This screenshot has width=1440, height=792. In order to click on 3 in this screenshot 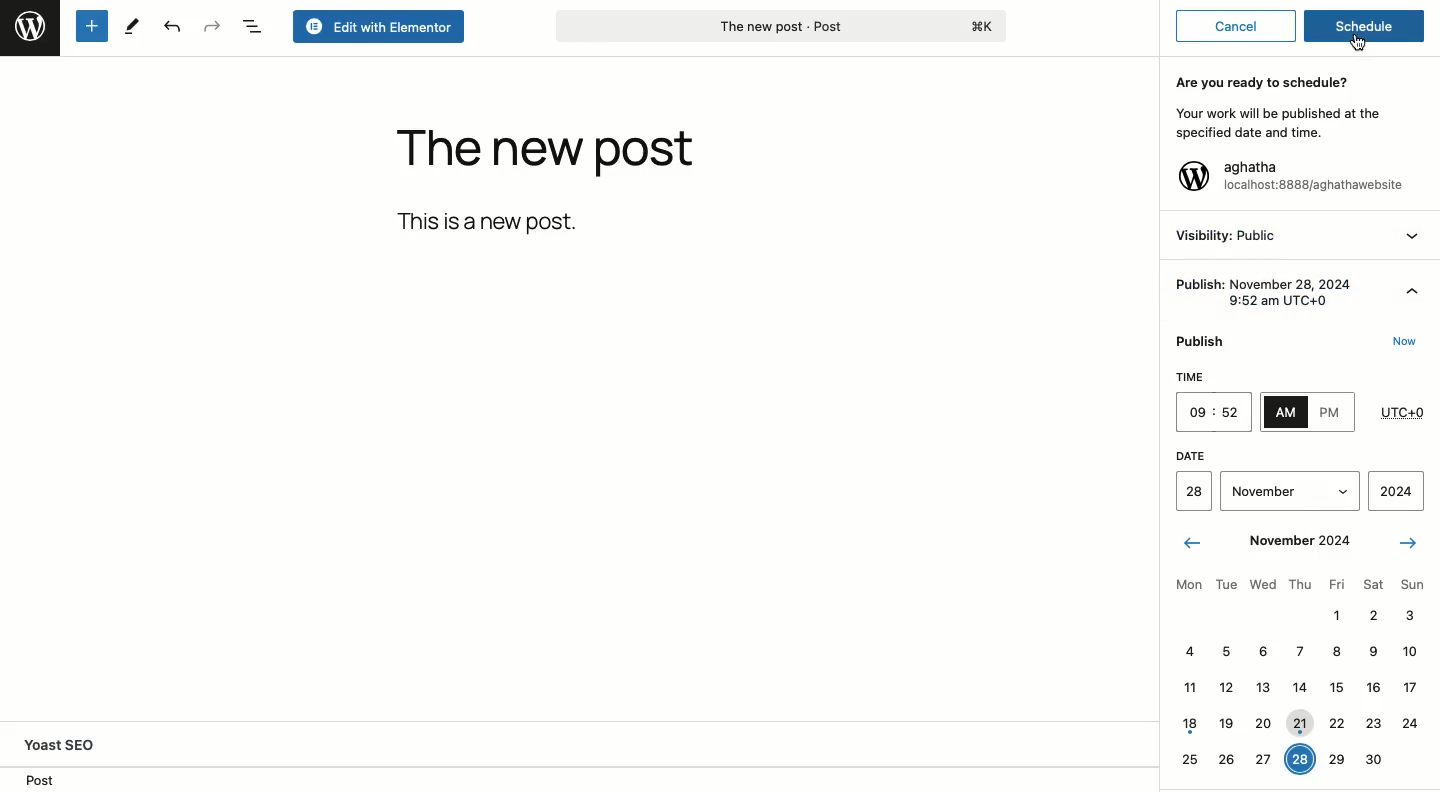, I will do `click(1407, 613)`.